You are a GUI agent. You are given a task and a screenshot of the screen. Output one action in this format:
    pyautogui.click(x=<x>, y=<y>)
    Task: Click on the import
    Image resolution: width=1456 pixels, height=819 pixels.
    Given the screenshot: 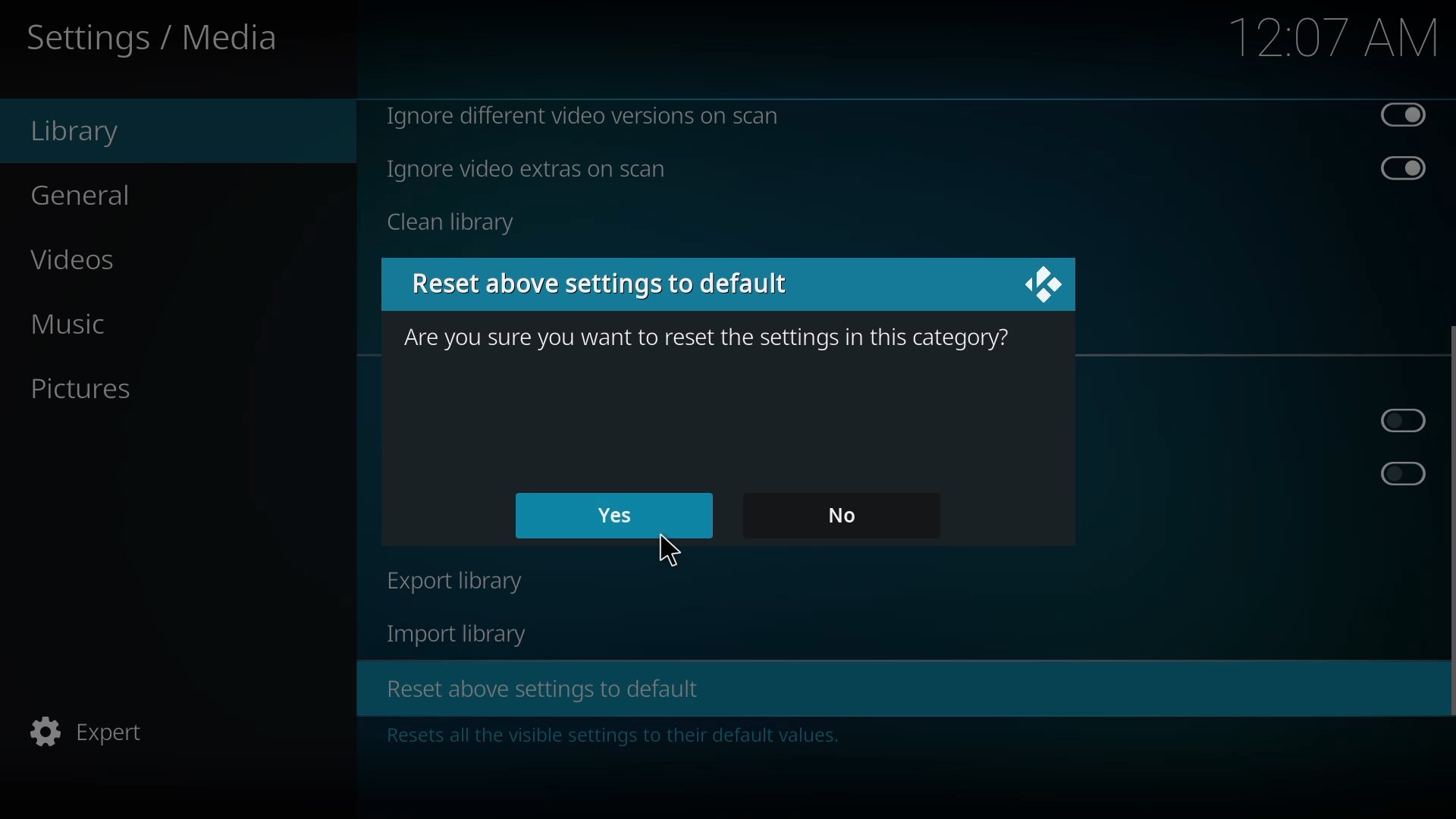 What is the action you would take?
    pyautogui.click(x=460, y=634)
    